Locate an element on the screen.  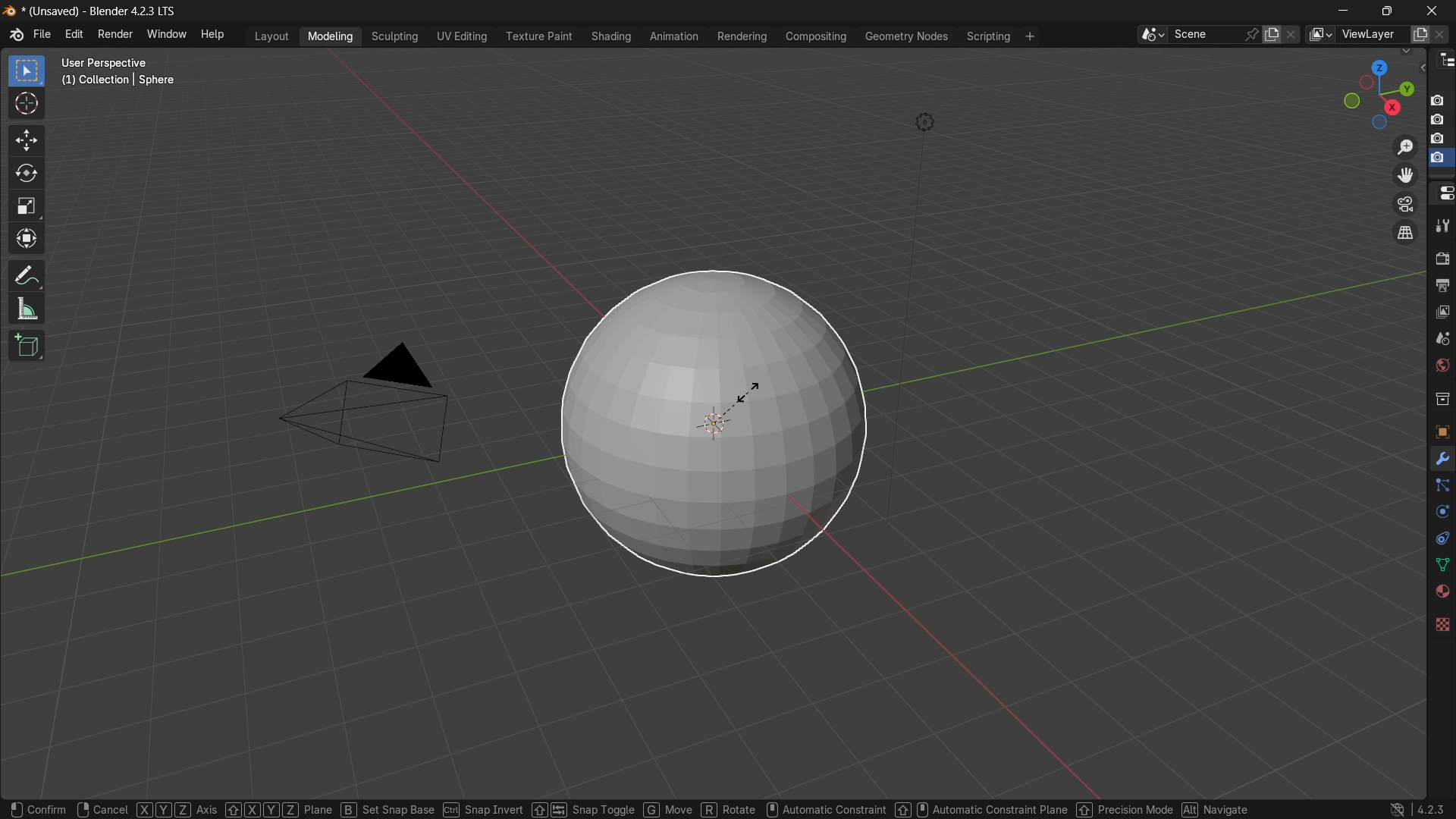
scale is located at coordinates (26, 208).